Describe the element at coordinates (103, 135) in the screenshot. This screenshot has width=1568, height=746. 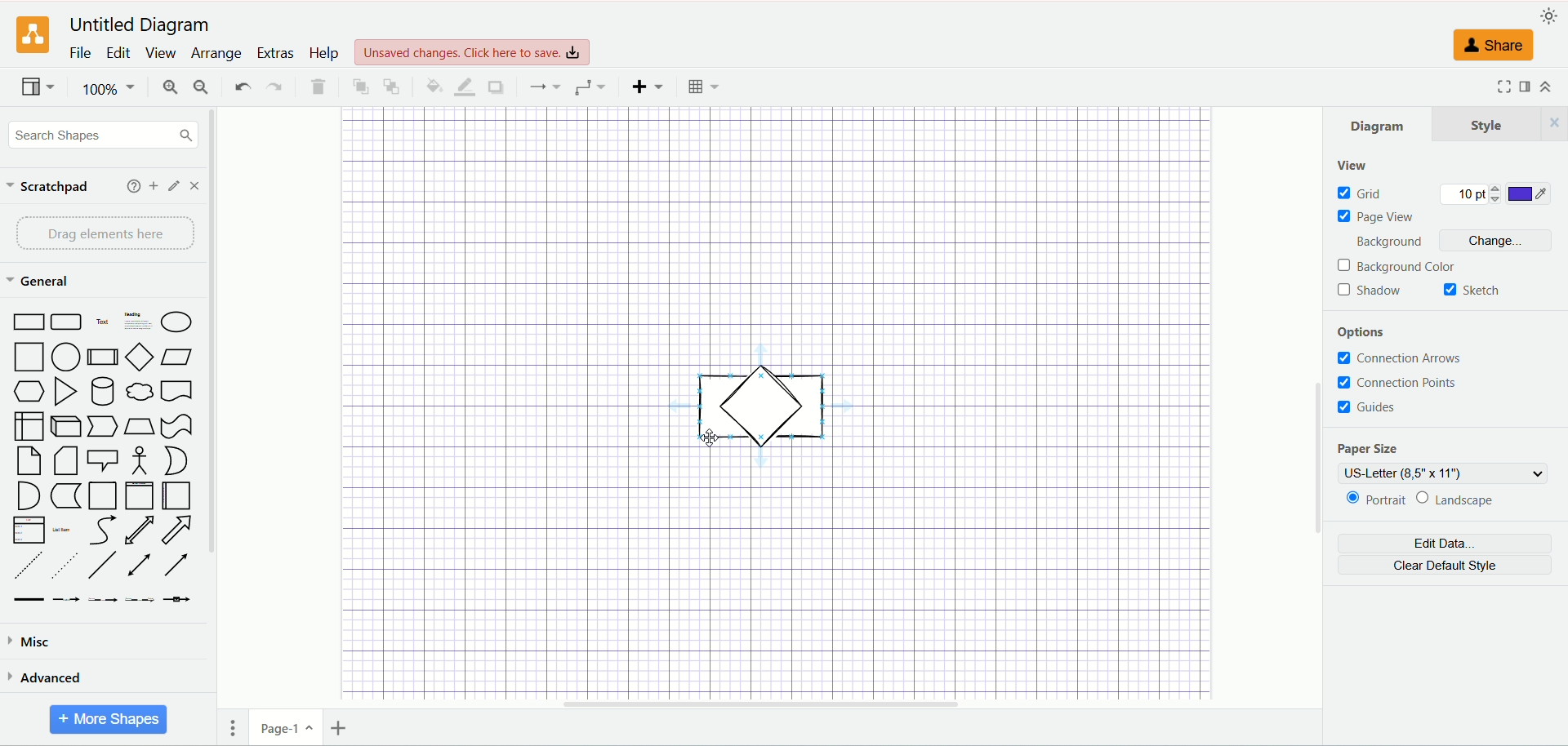
I see `search shapes` at that location.